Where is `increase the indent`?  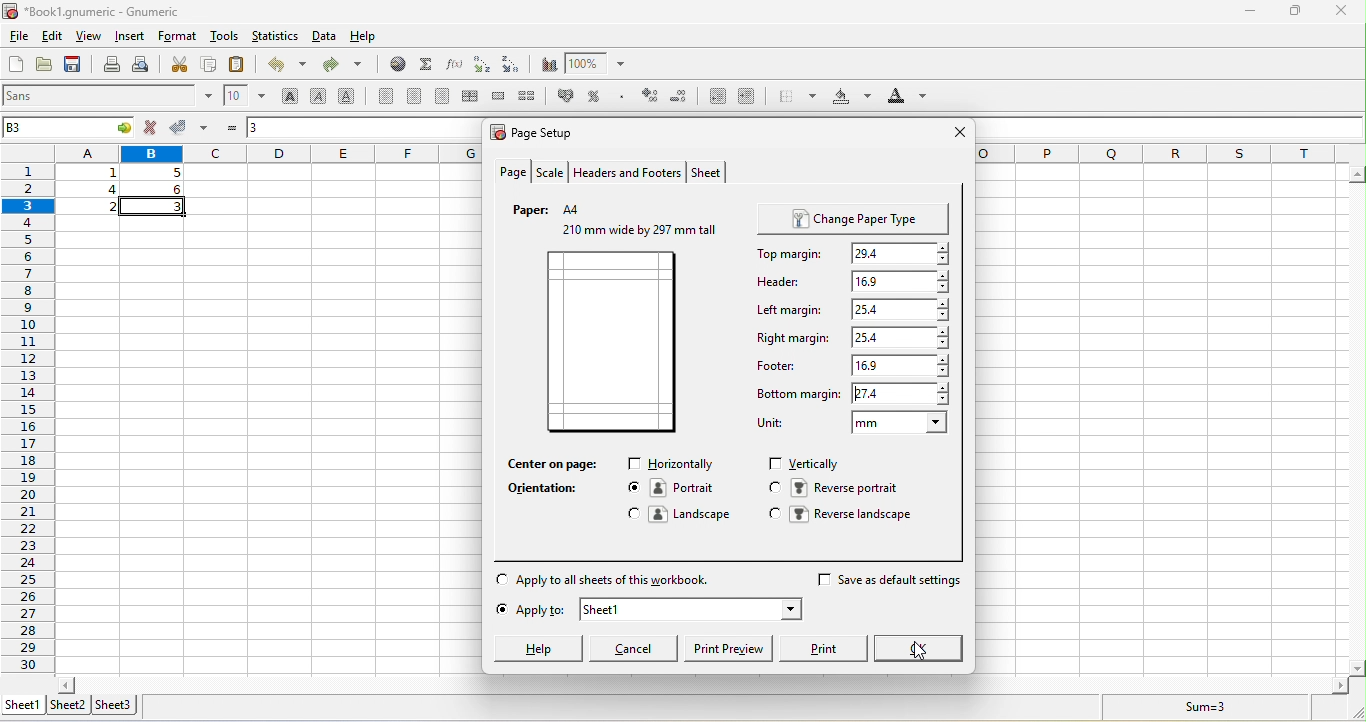
increase the indent is located at coordinates (748, 97).